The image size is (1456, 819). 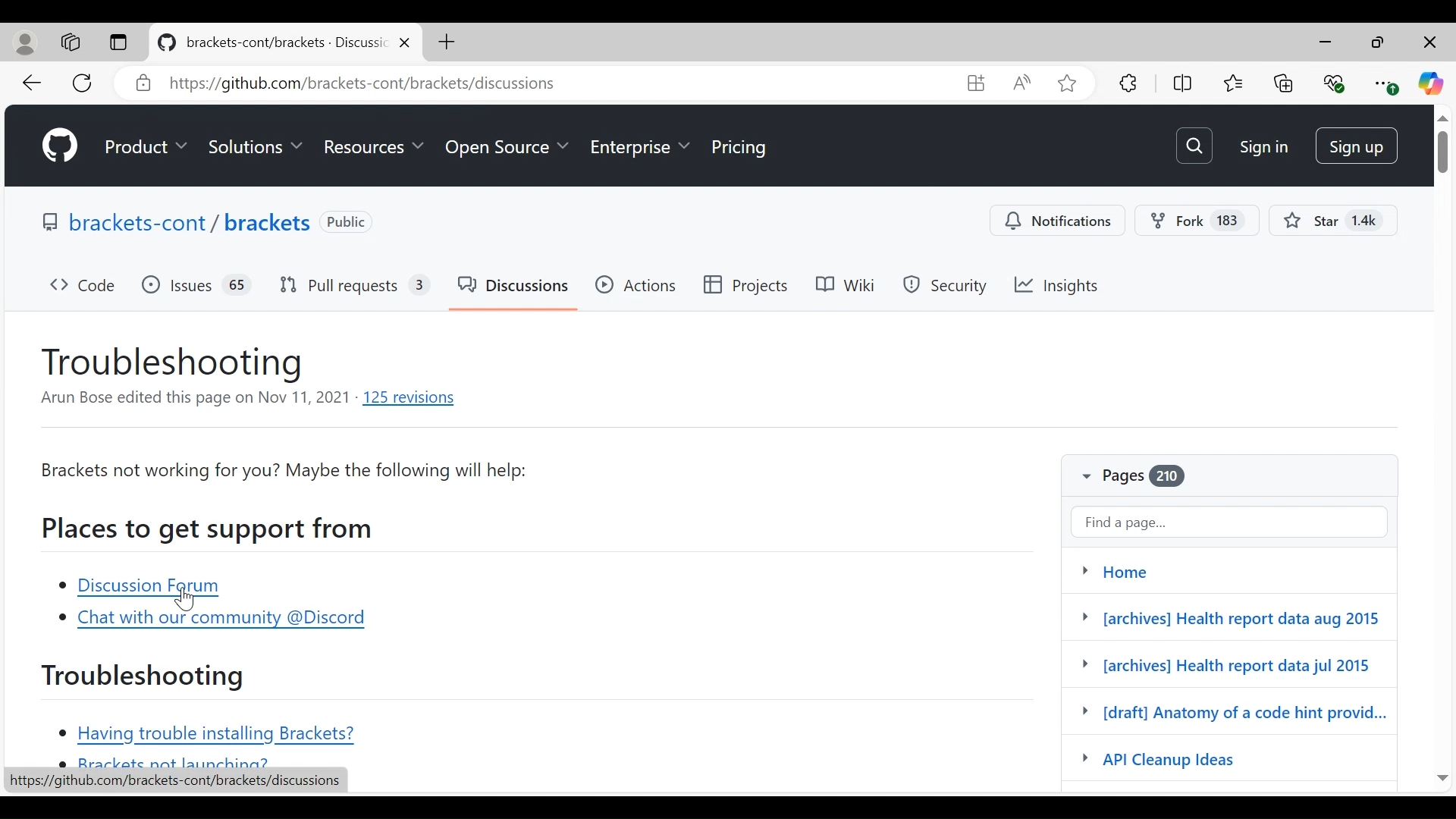 What do you see at coordinates (1358, 145) in the screenshot?
I see `Sign Up` at bounding box center [1358, 145].